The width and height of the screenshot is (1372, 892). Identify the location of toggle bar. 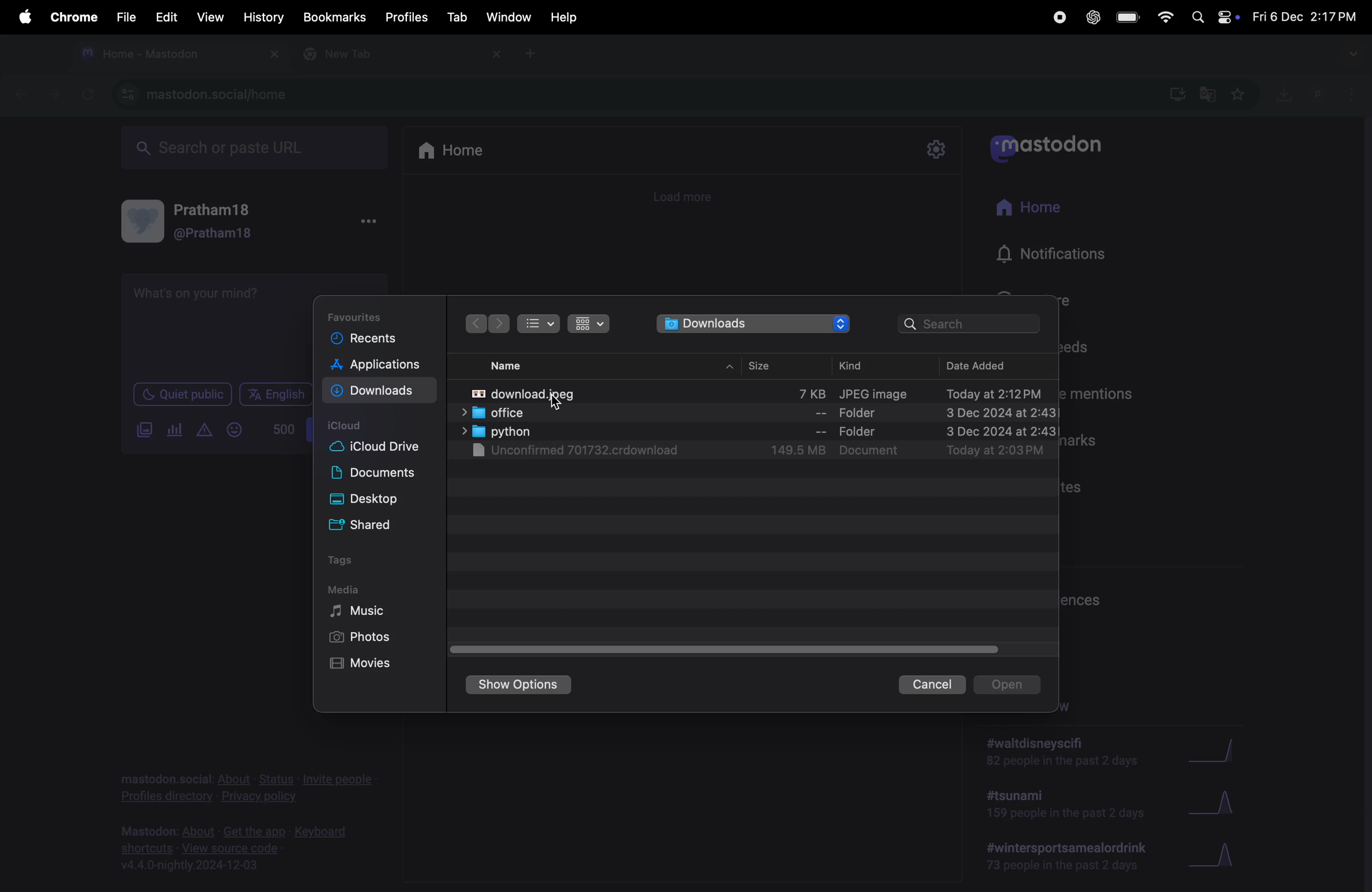
(722, 649).